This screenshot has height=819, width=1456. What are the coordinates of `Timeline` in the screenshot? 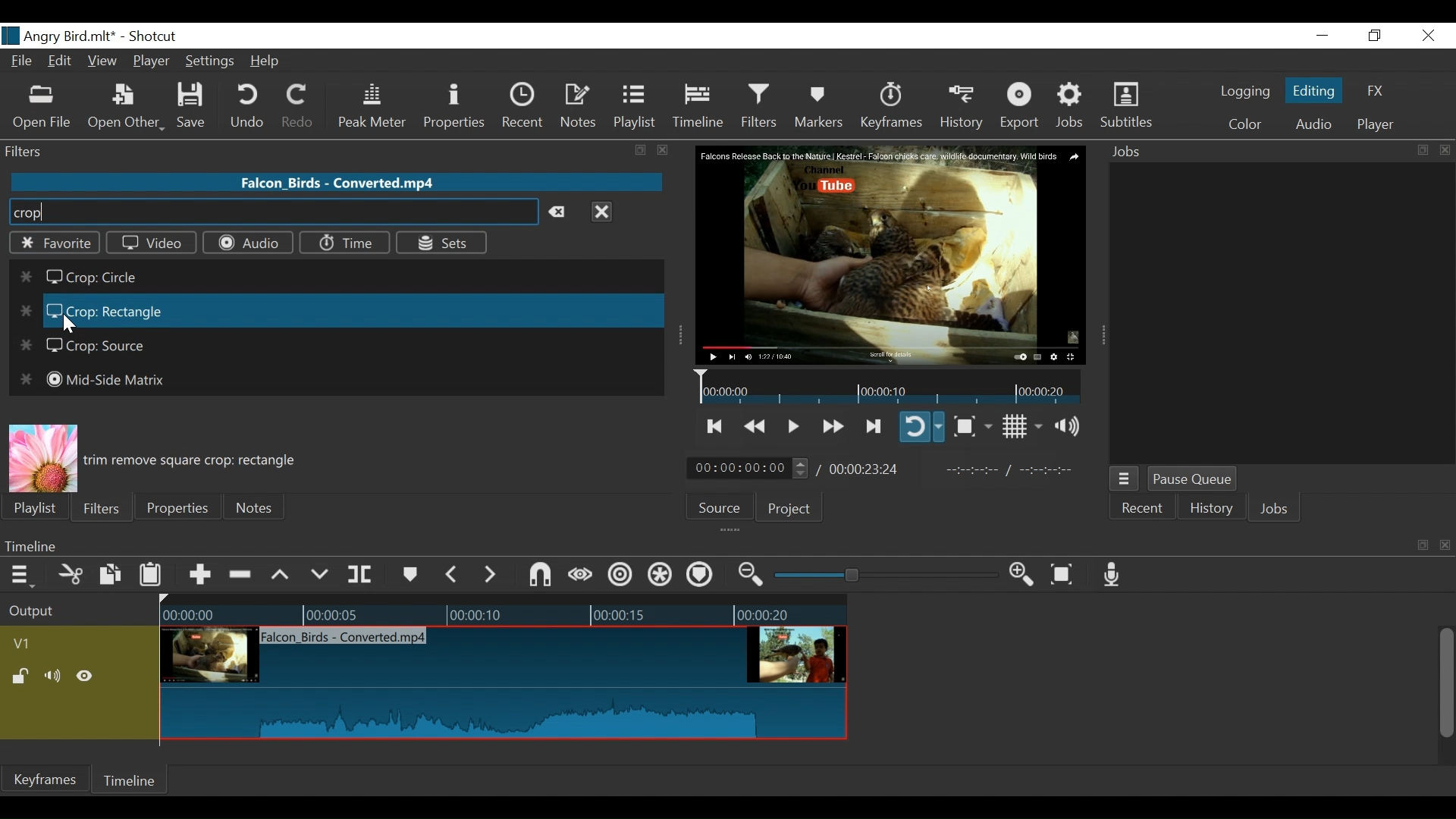 It's located at (699, 106).